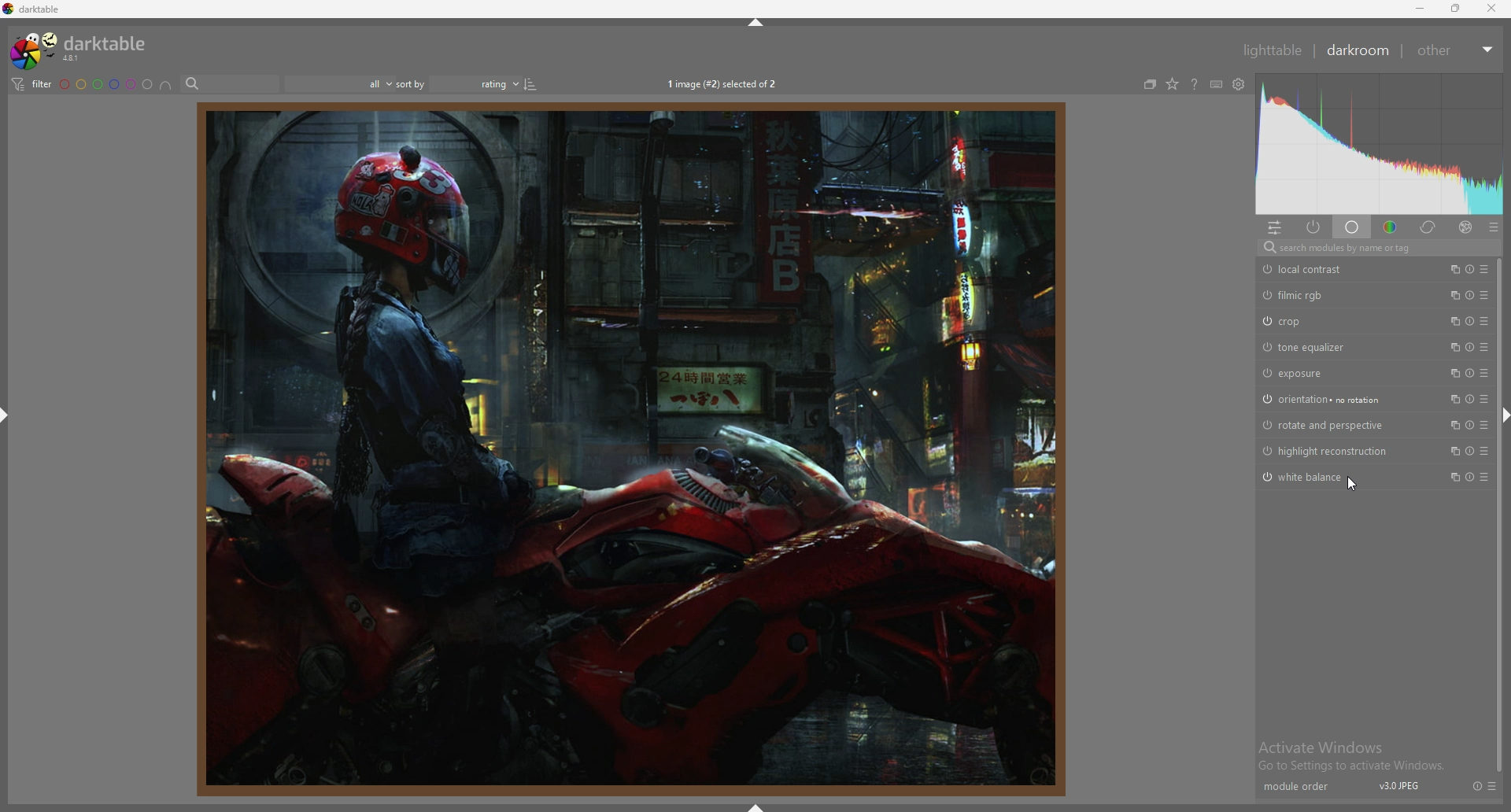 The image size is (1511, 812). Describe the element at coordinates (1450, 374) in the screenshot. I see `multiple instances action` at that location.